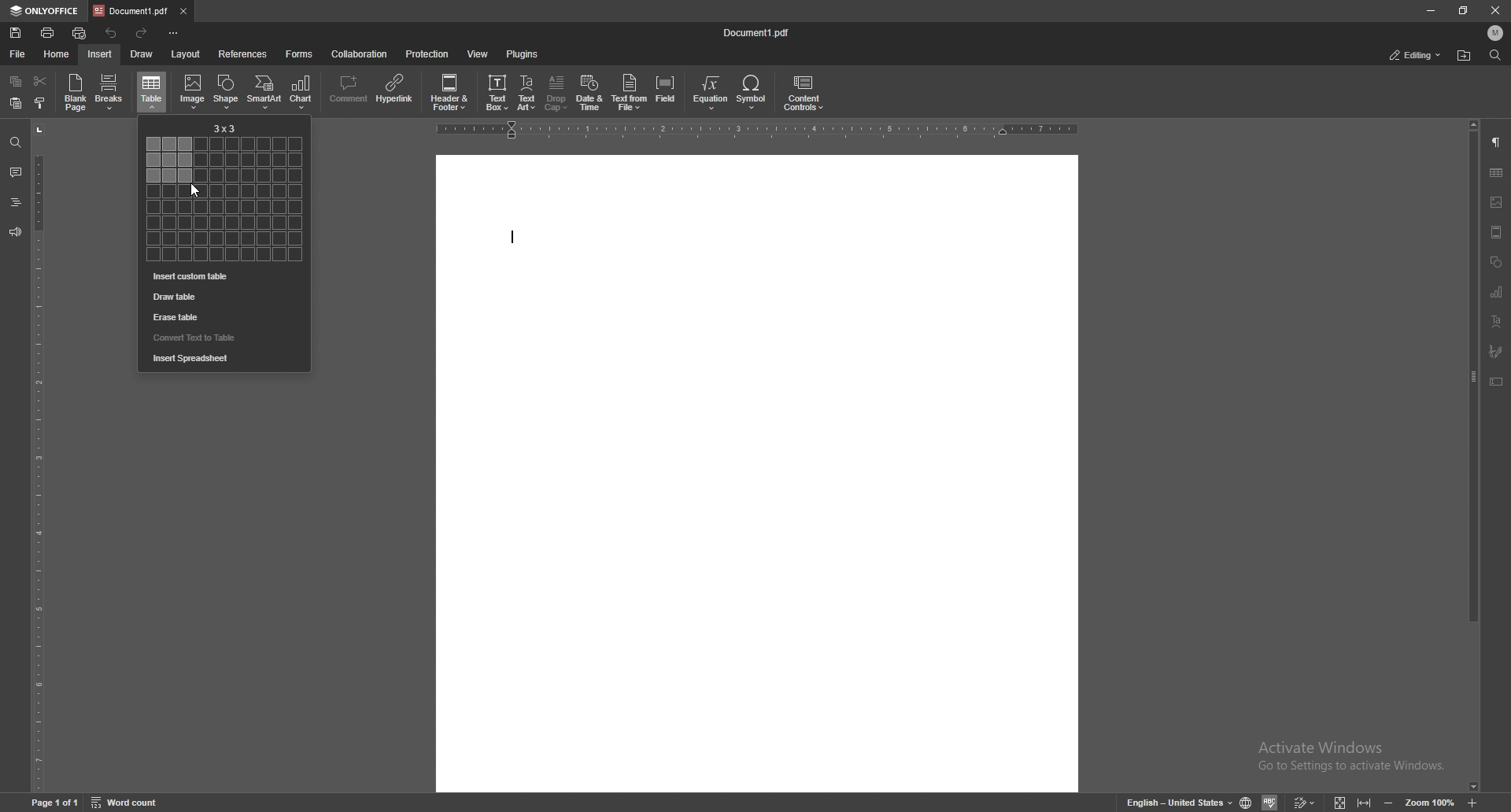  Describe the element at coordinates (228, 91) in the screenshot. I see `shape` at that location.